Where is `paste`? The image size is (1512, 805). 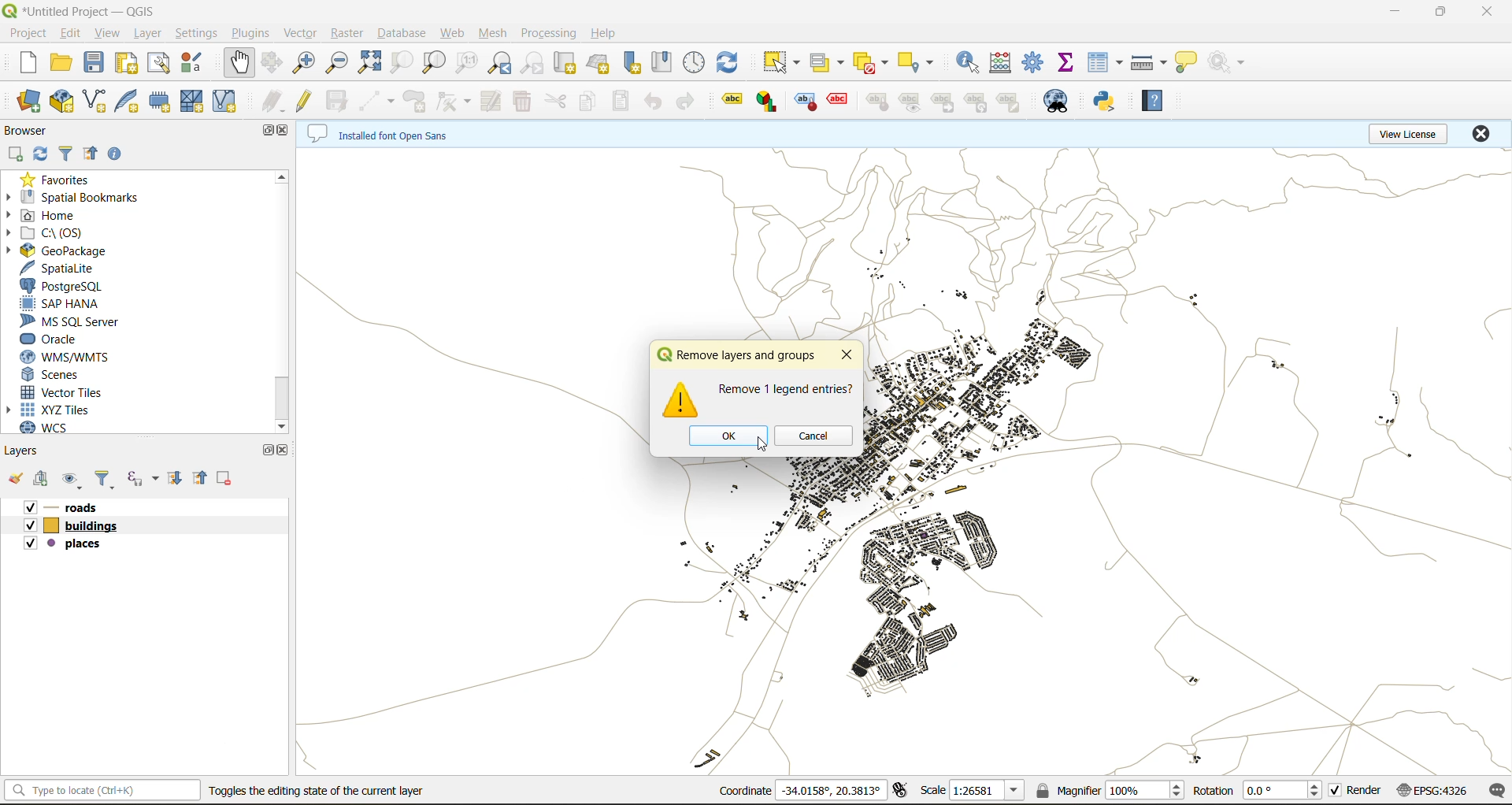
paste is located at coordinates (624, 102).